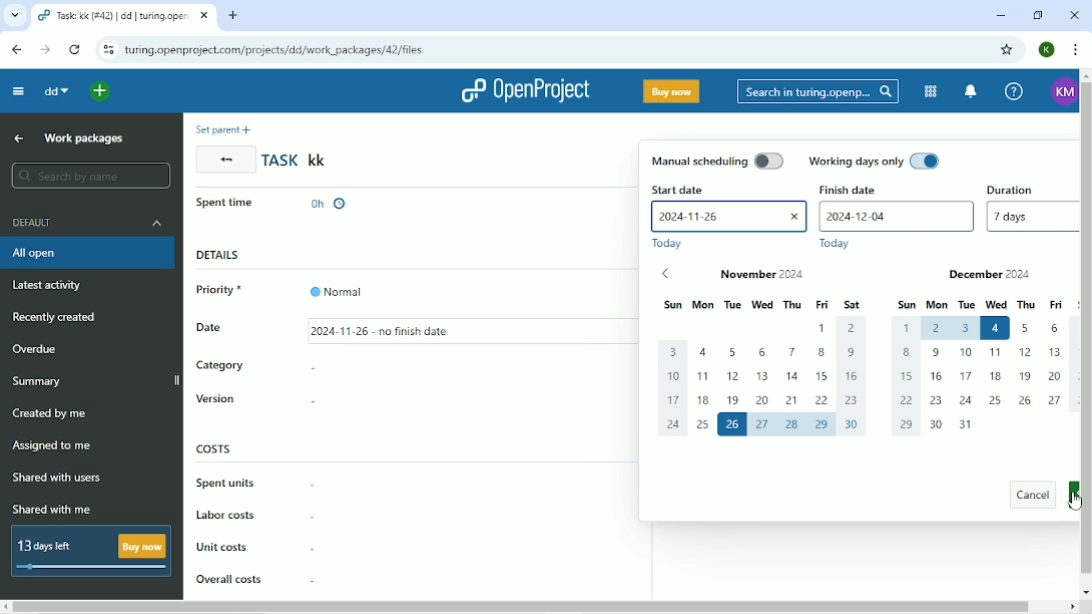 The width and height of the screenshot is (1092, 614). Describe the element at coordinates (49, 413) in the screenshot. I see `Created by me` at that location.